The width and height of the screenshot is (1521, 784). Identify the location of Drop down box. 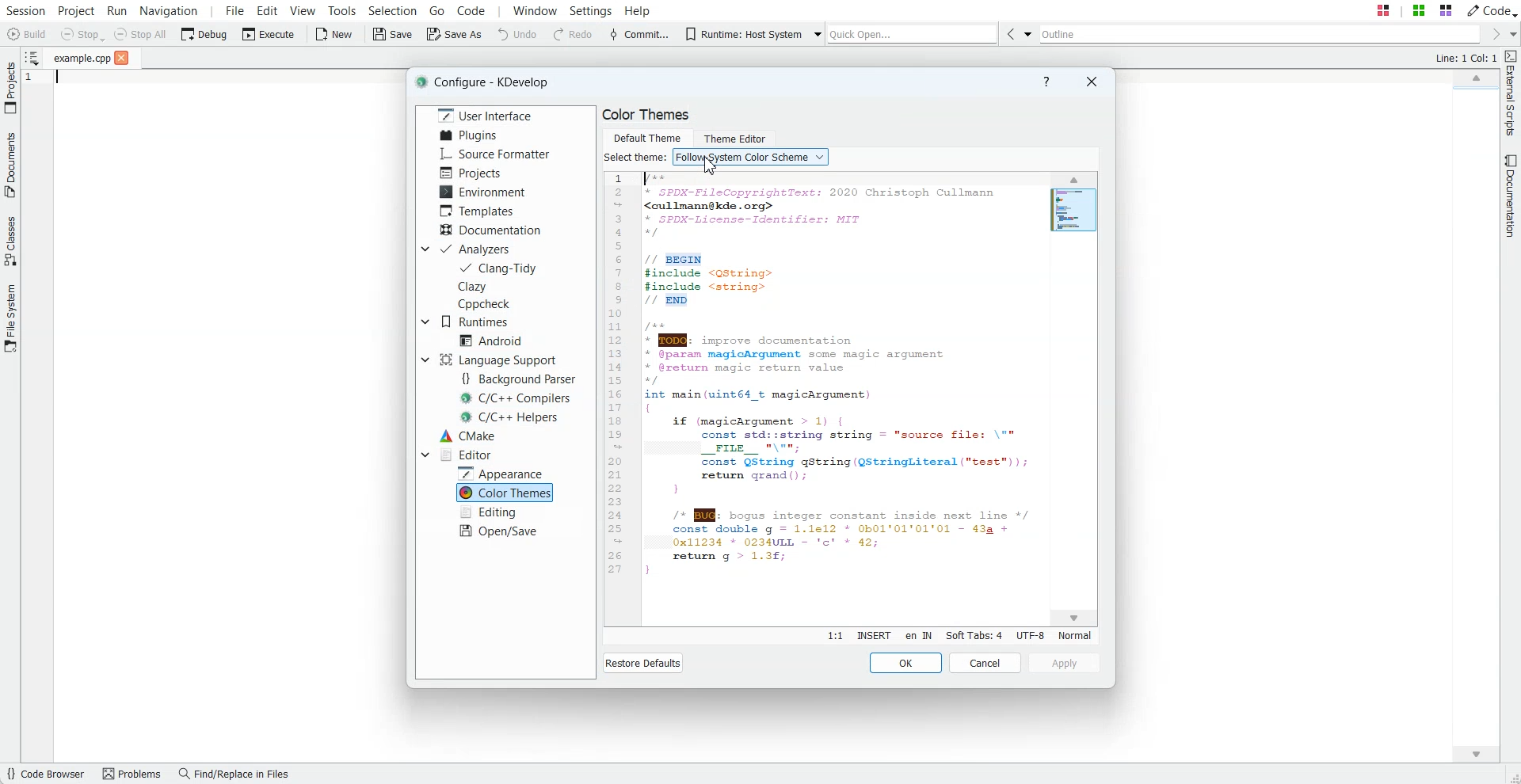
(816, 35).